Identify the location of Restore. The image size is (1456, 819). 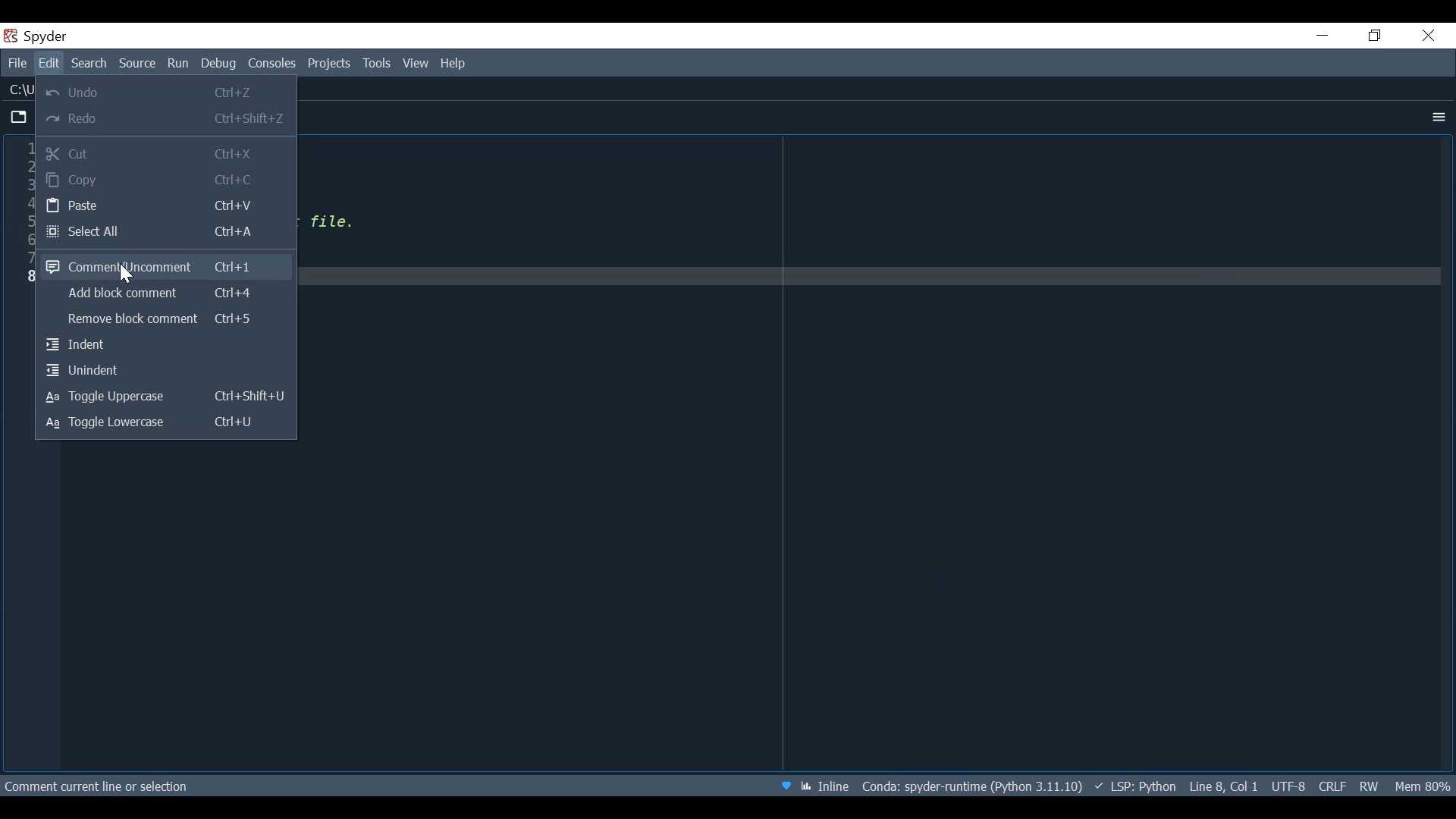
(1373, 36).